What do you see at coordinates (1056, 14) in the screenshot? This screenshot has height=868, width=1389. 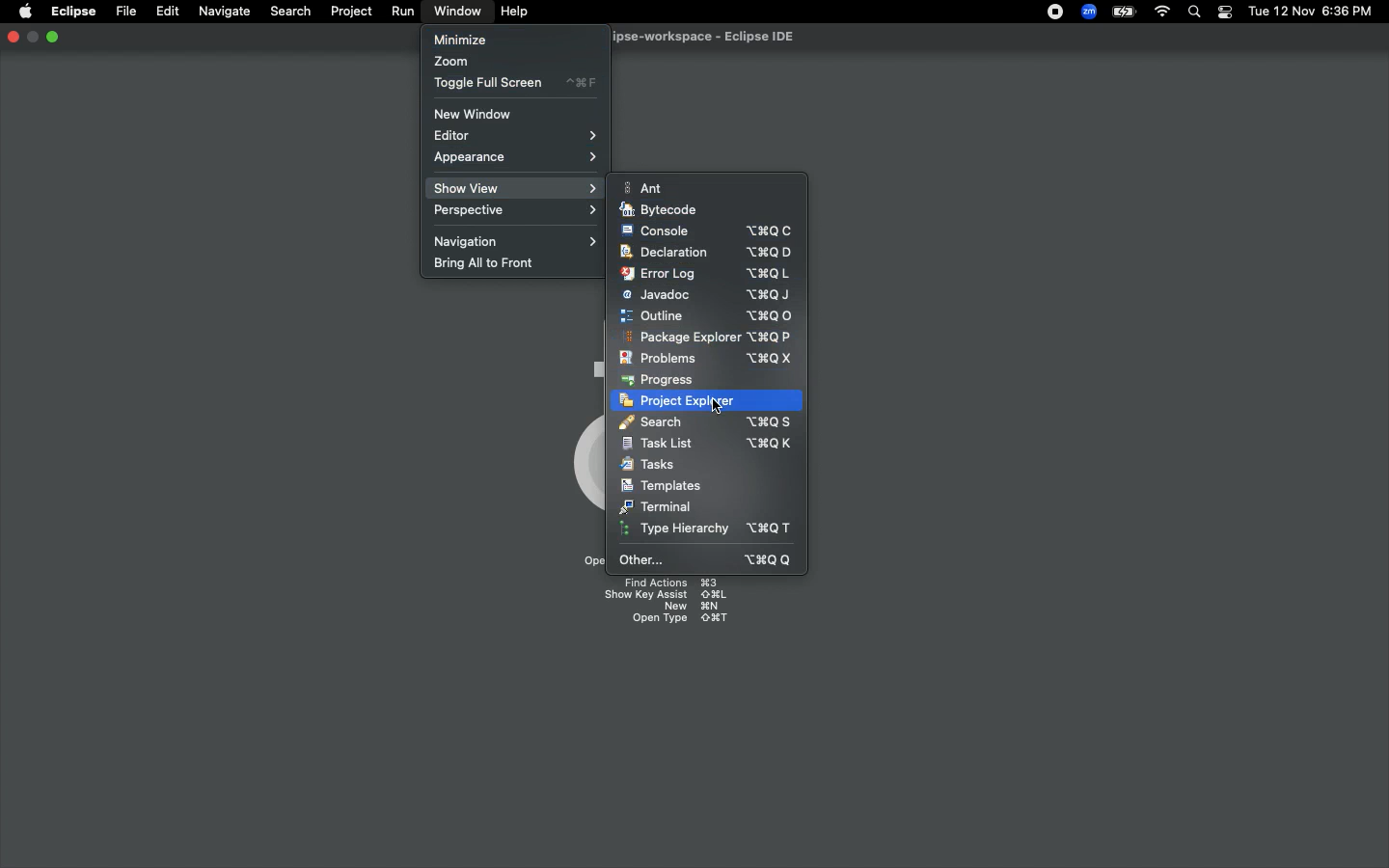 I see `Recording` at bounding box center [1056, 14].